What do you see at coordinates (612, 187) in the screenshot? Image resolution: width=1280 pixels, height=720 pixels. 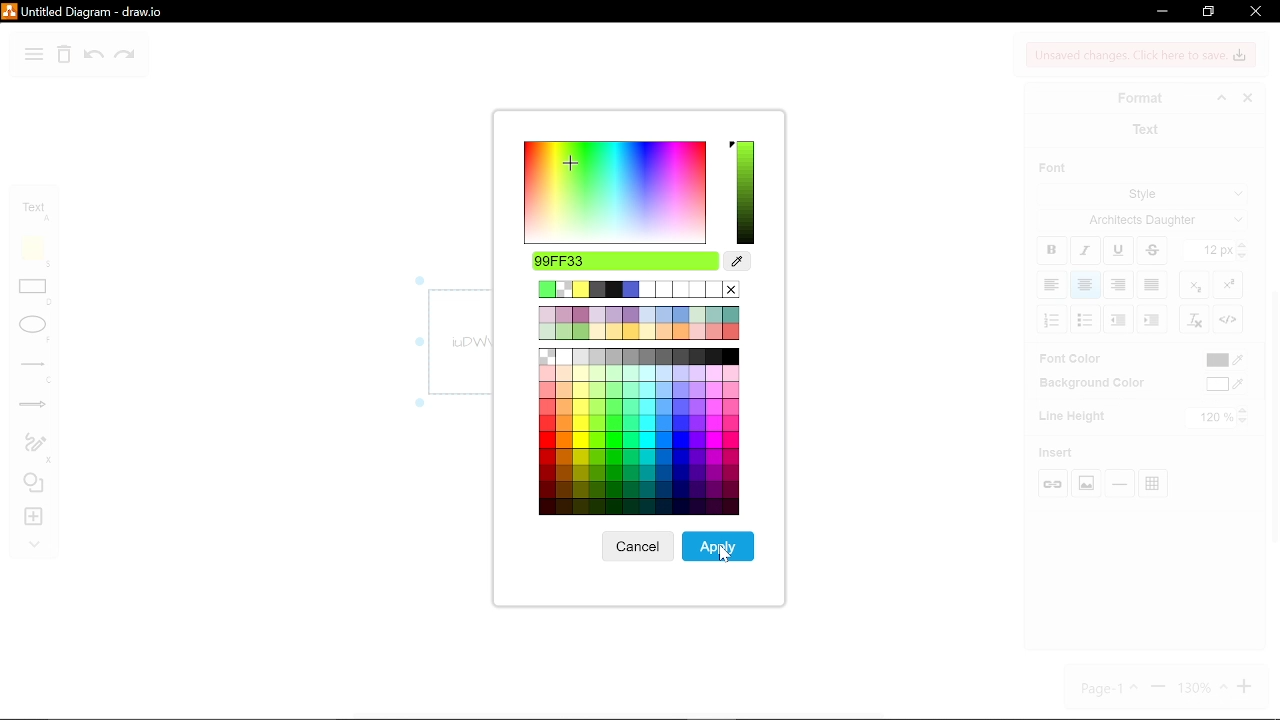 I see `color spectrum` at bounding box center [612, 187].